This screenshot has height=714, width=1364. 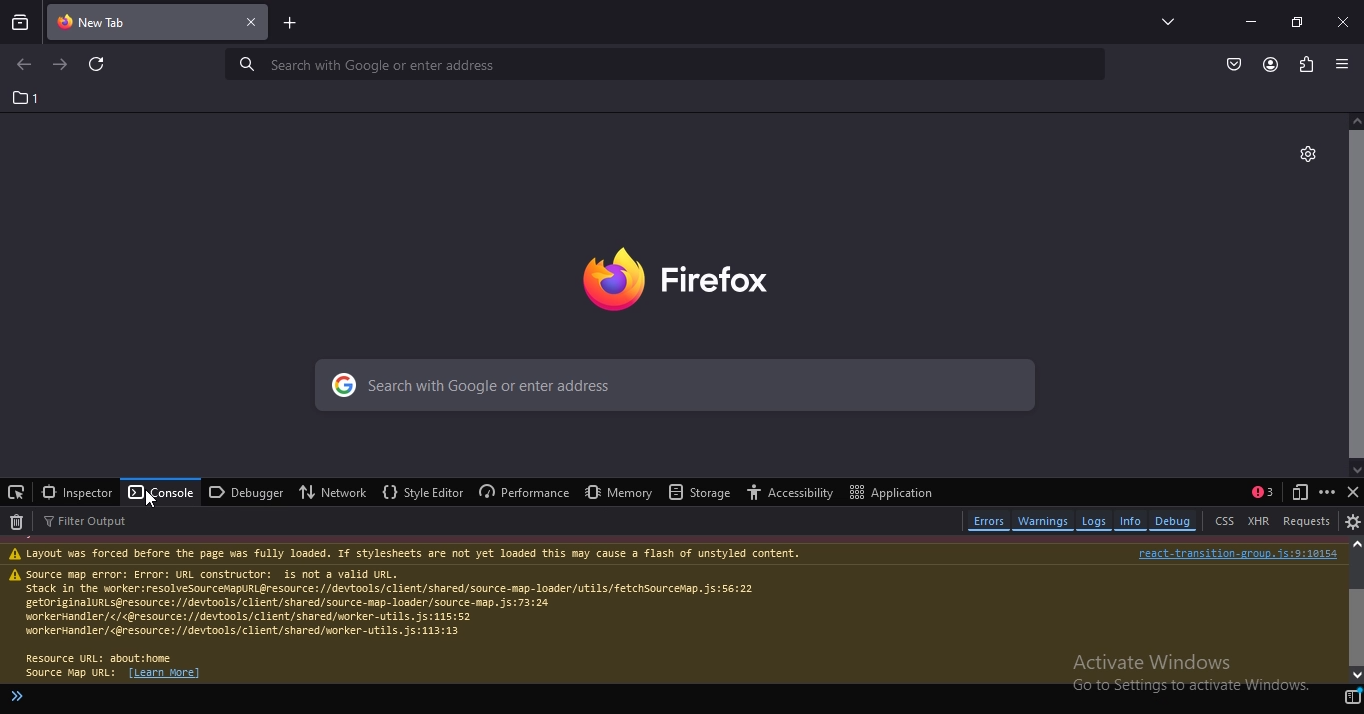 I want to click on accessibilty, so click(x=793, y=491).